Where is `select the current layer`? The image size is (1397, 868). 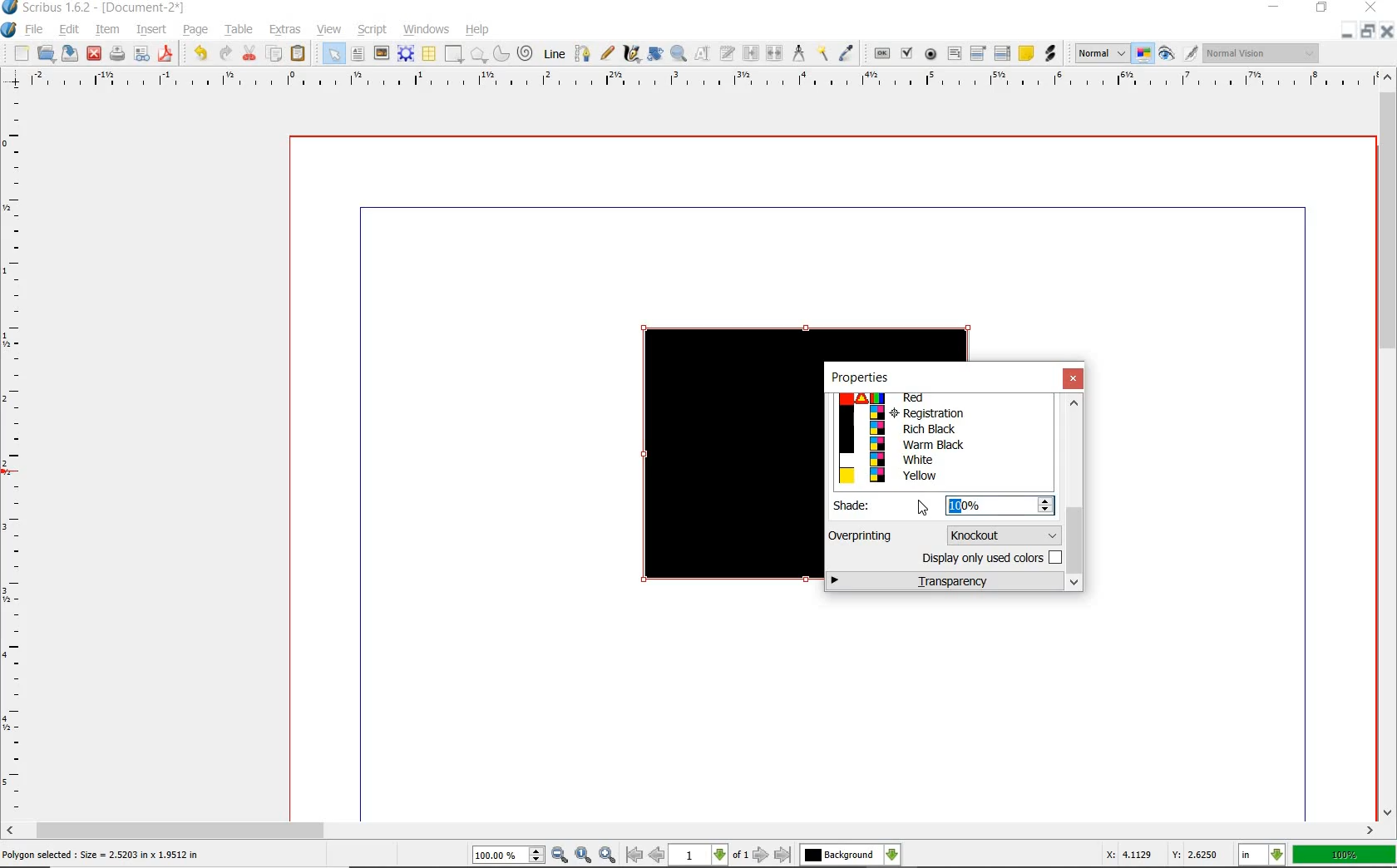
select the current layer is located at coordinates (851, 855).